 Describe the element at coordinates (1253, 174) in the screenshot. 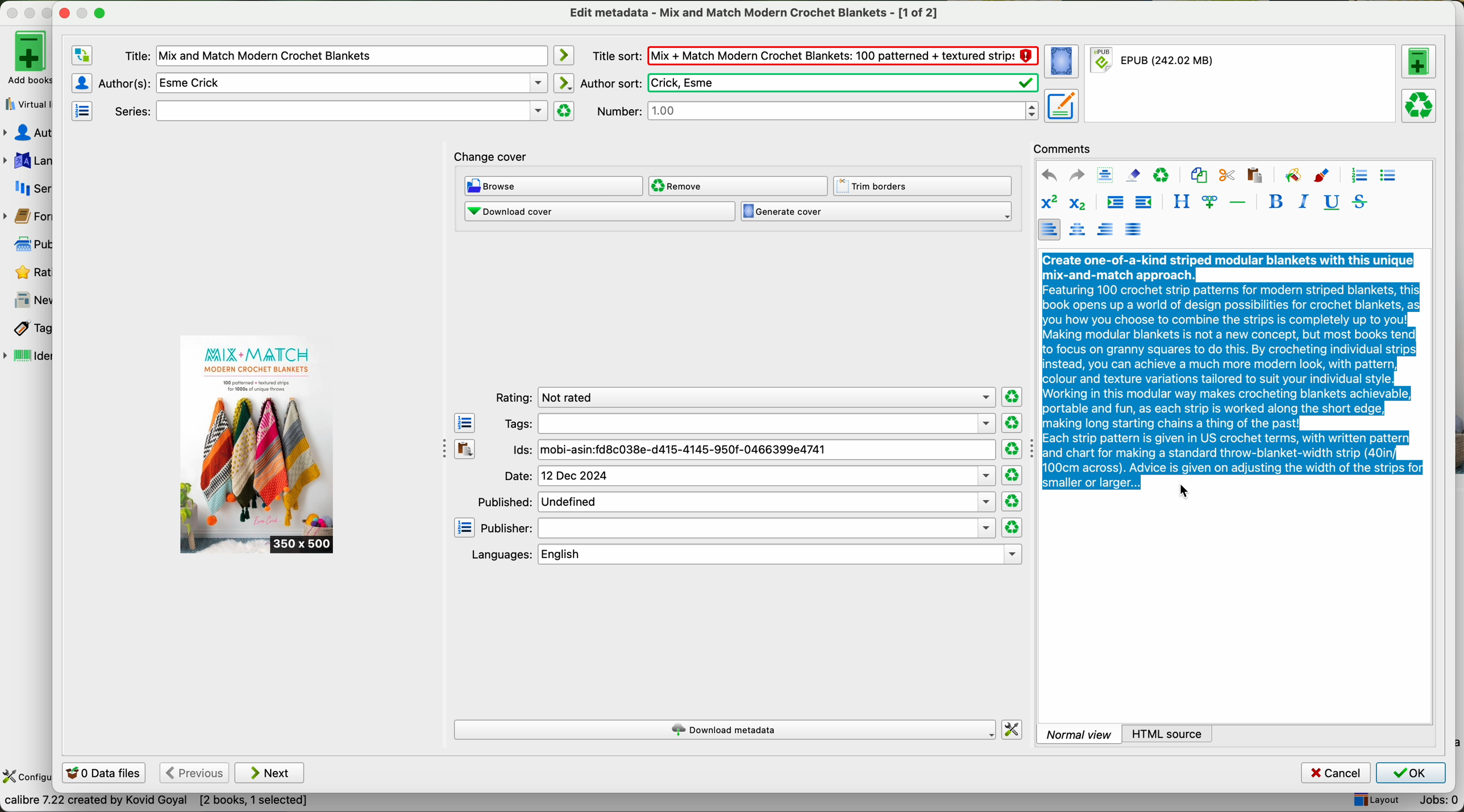

I see `paste` at that location.